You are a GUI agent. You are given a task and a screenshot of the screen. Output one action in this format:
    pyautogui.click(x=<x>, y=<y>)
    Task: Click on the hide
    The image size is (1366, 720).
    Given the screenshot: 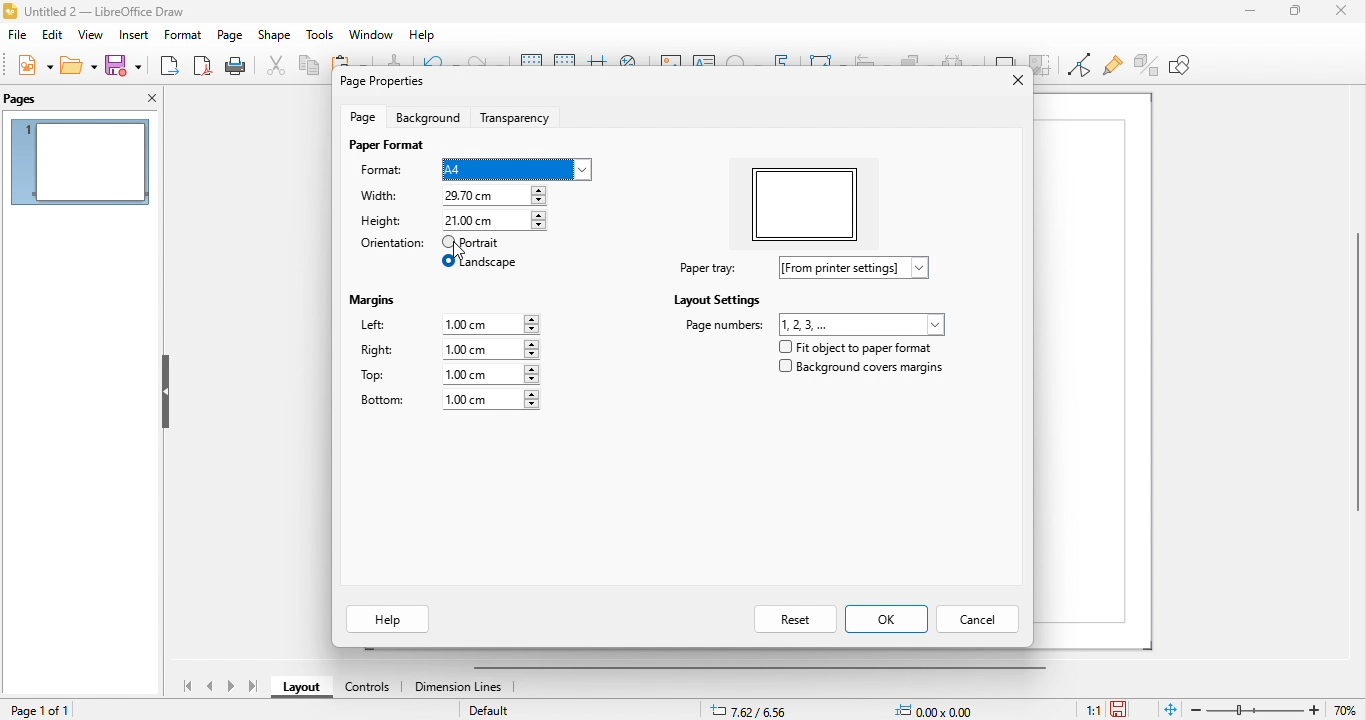 What is the action you would take?
    pyautogui.click(x=165, y=392)
    